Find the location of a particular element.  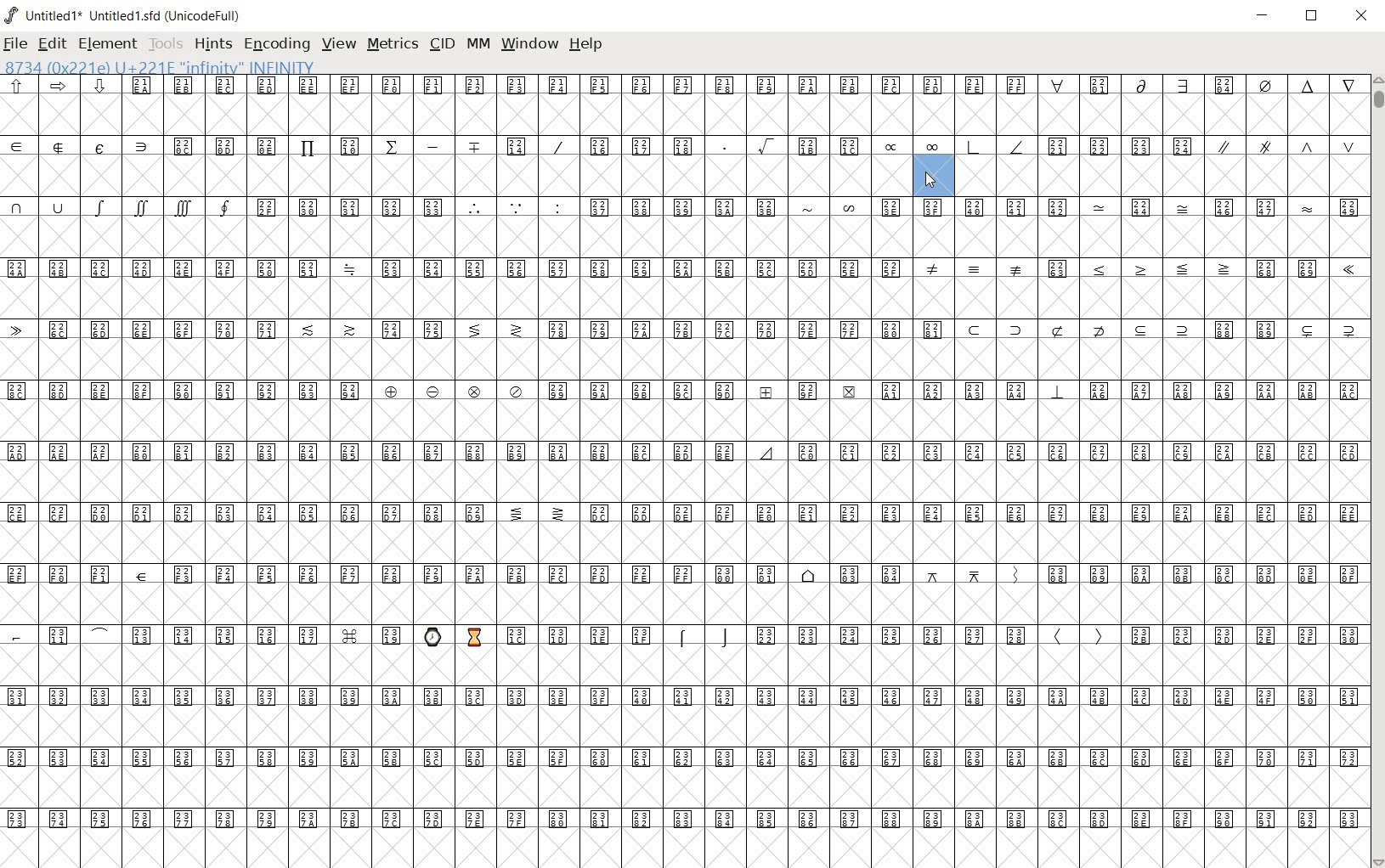

minimize is located at coordinates (1263, 16).